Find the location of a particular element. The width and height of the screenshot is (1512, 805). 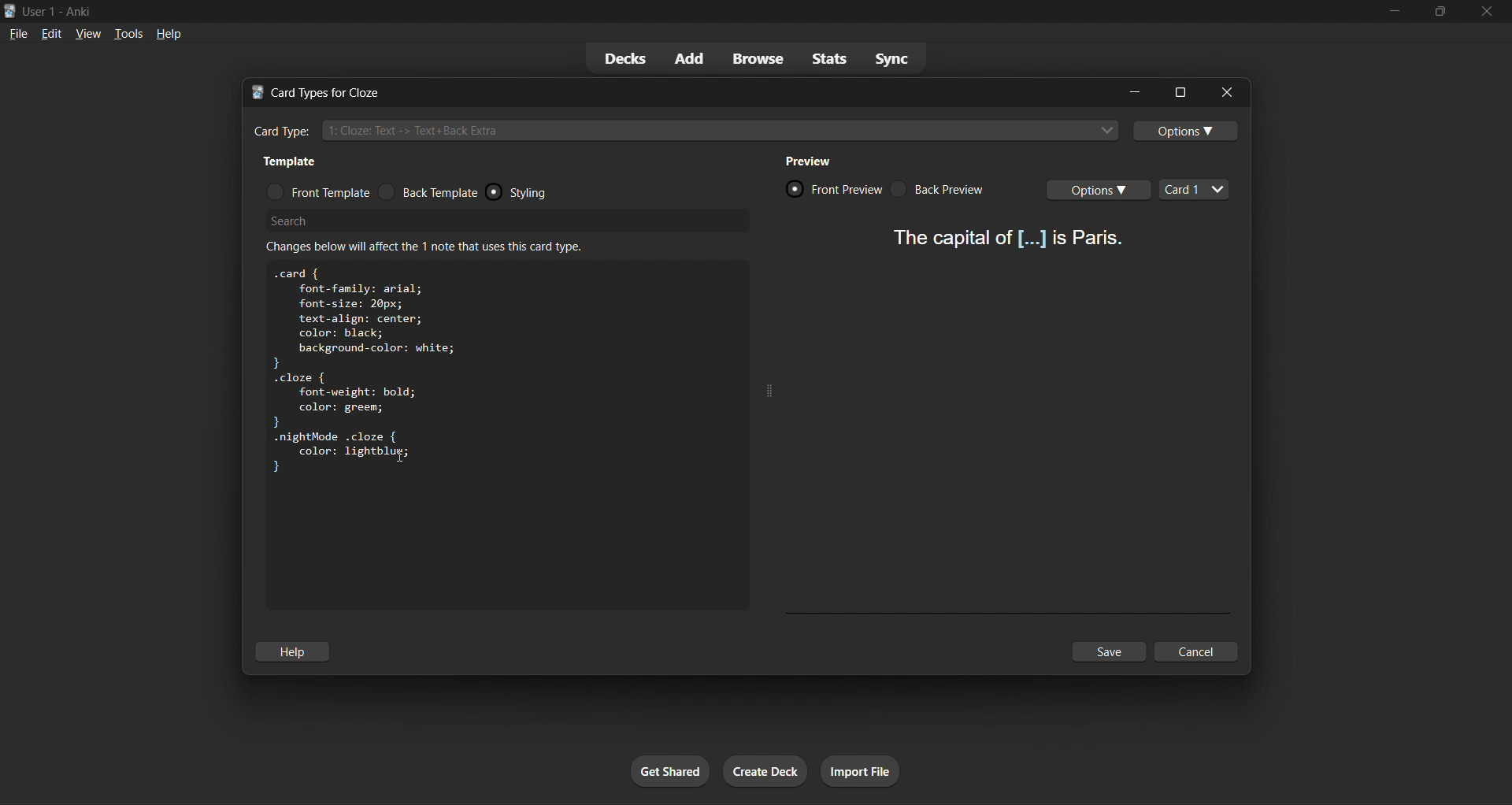

add is located at coordinates (689, 57).